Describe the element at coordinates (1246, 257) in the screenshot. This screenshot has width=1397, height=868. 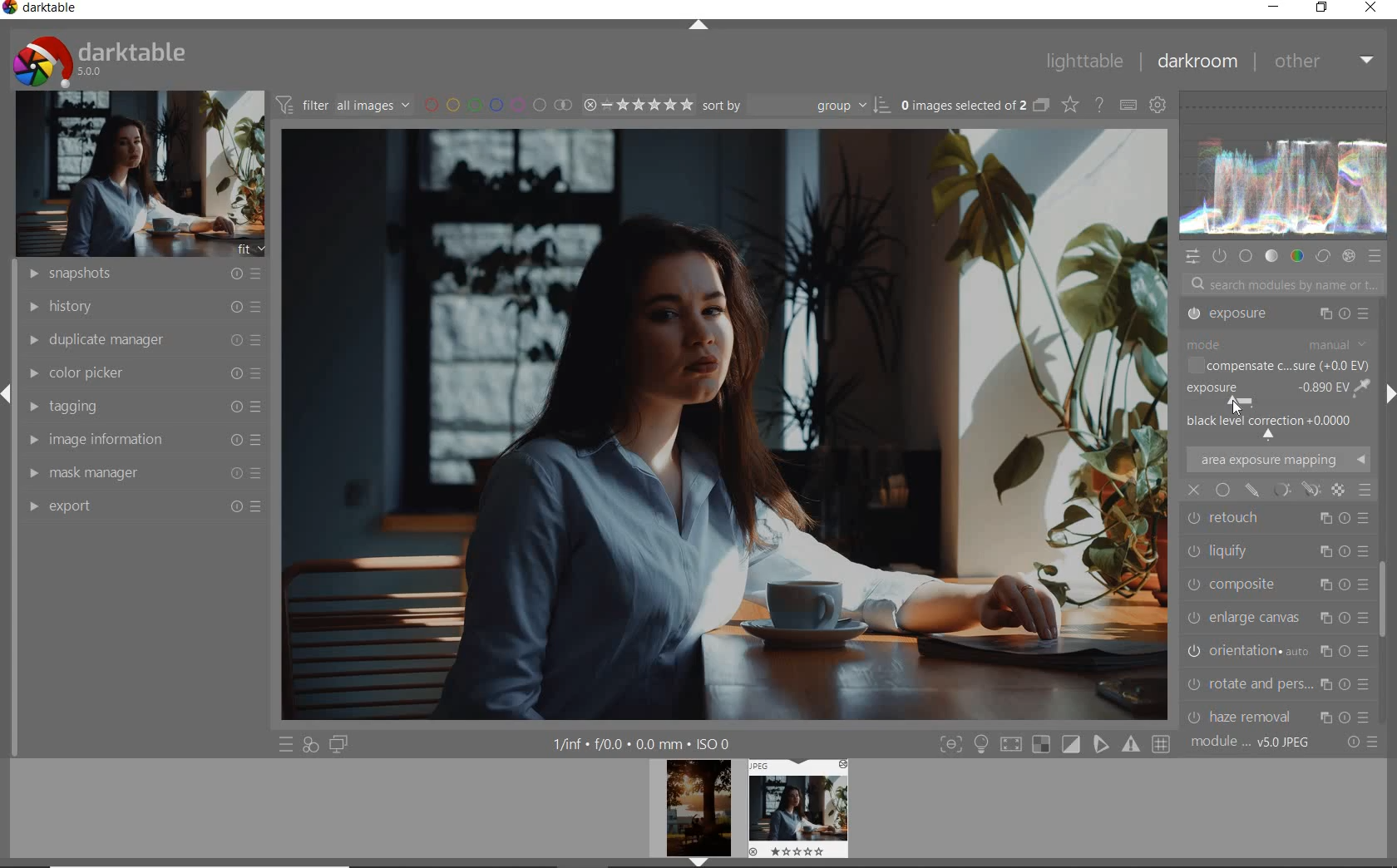
I see `BASE` at that location.